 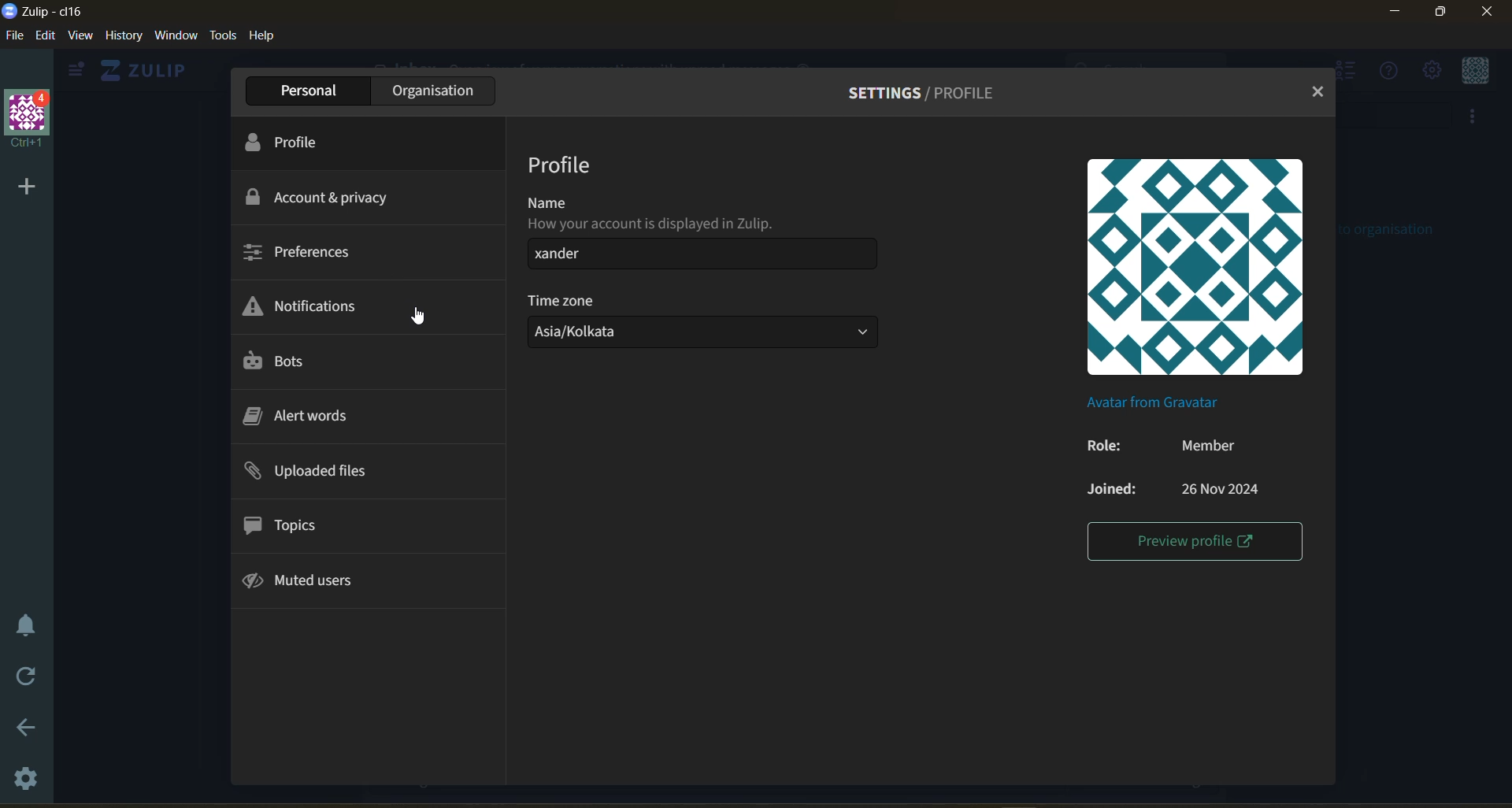 What do you see at coordinates (430, 90) in the screenshot?
I see `organisation` at bounding box center [430, 90].